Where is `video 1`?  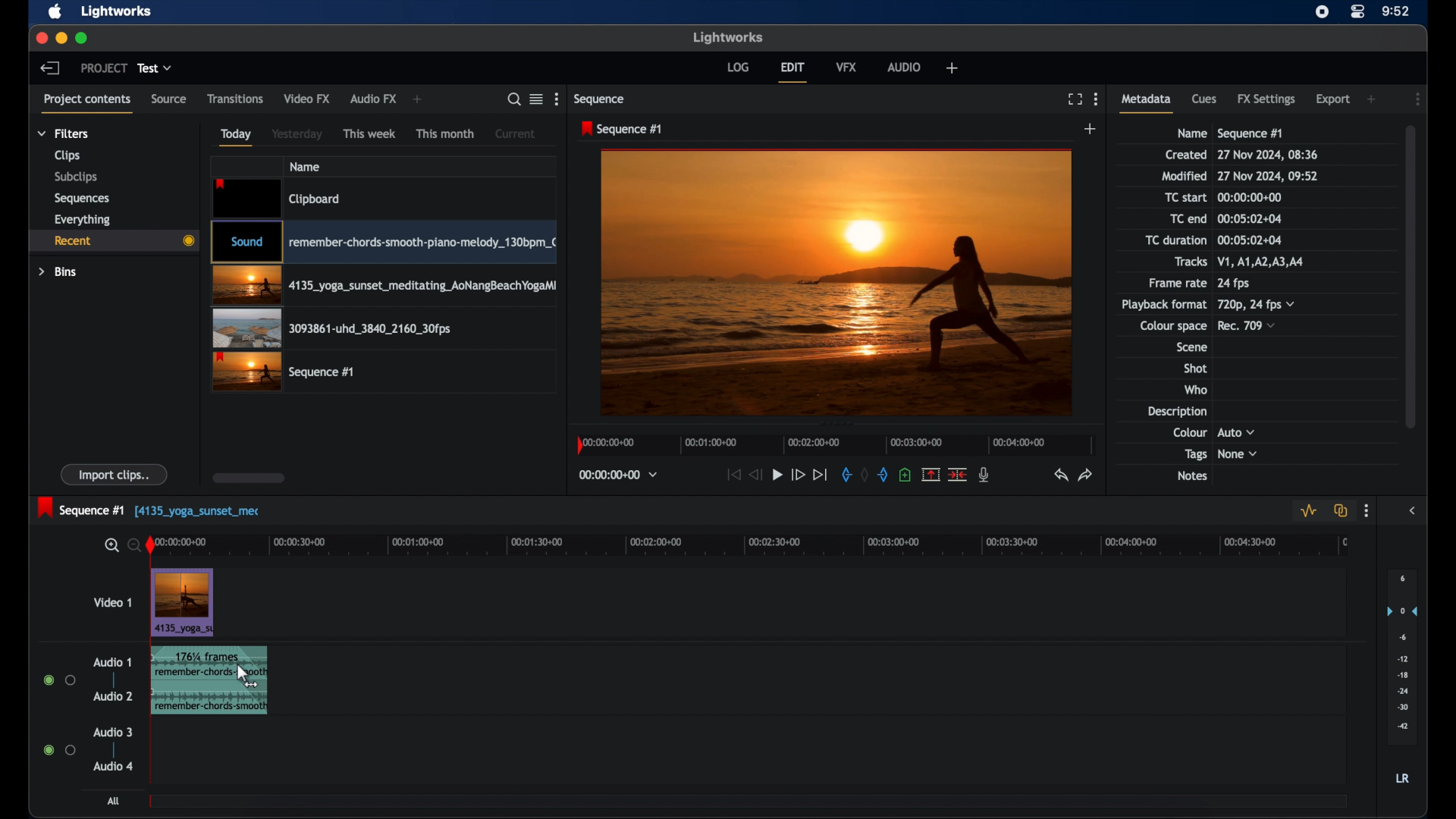 video 1 is located at coordinates (111, 602).